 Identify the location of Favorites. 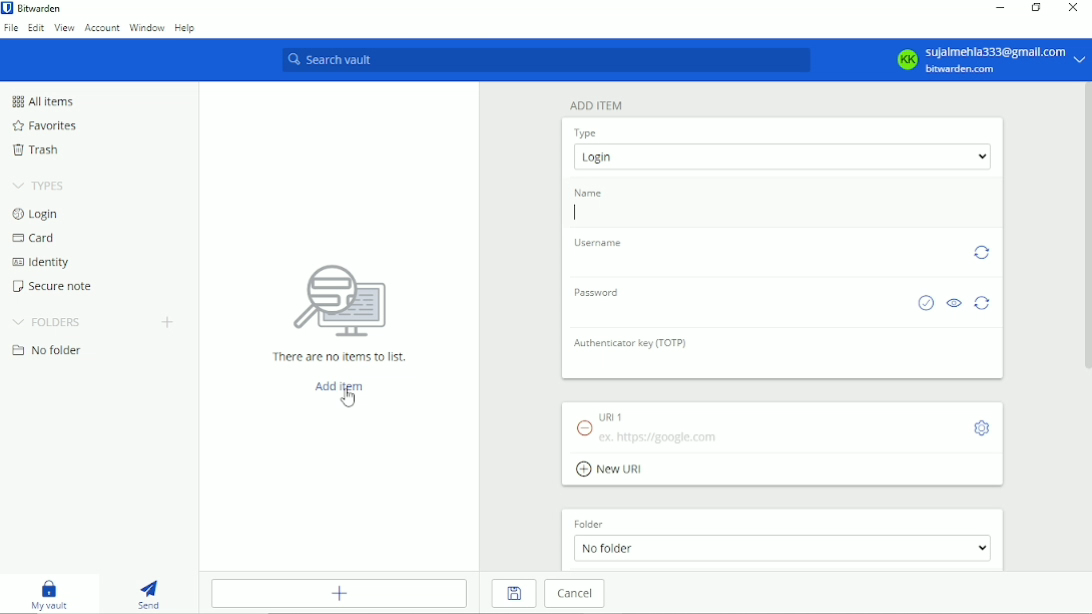
(44, 125).